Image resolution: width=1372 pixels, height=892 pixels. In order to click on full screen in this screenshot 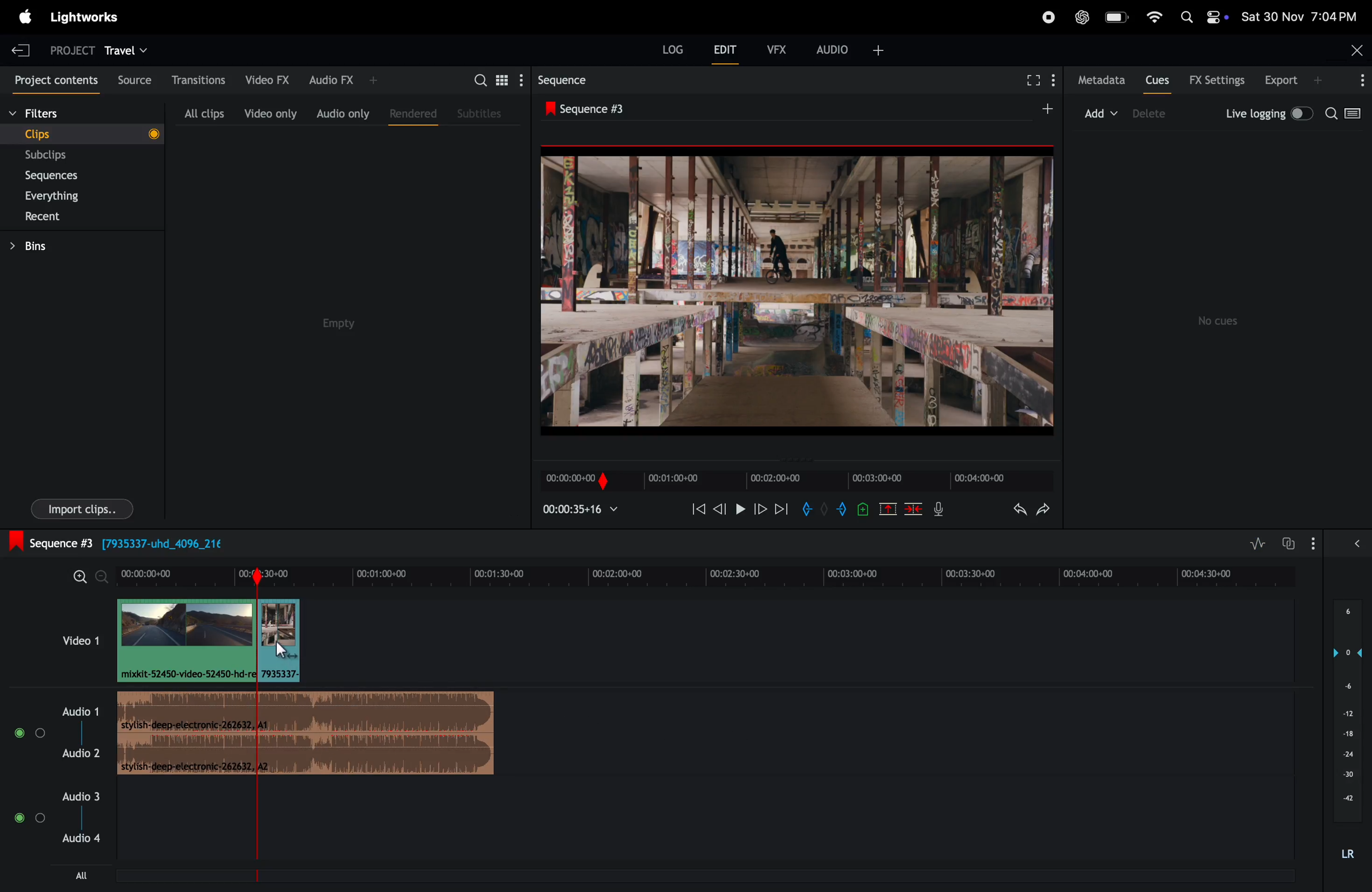, I will do `click(1032, 82)`.